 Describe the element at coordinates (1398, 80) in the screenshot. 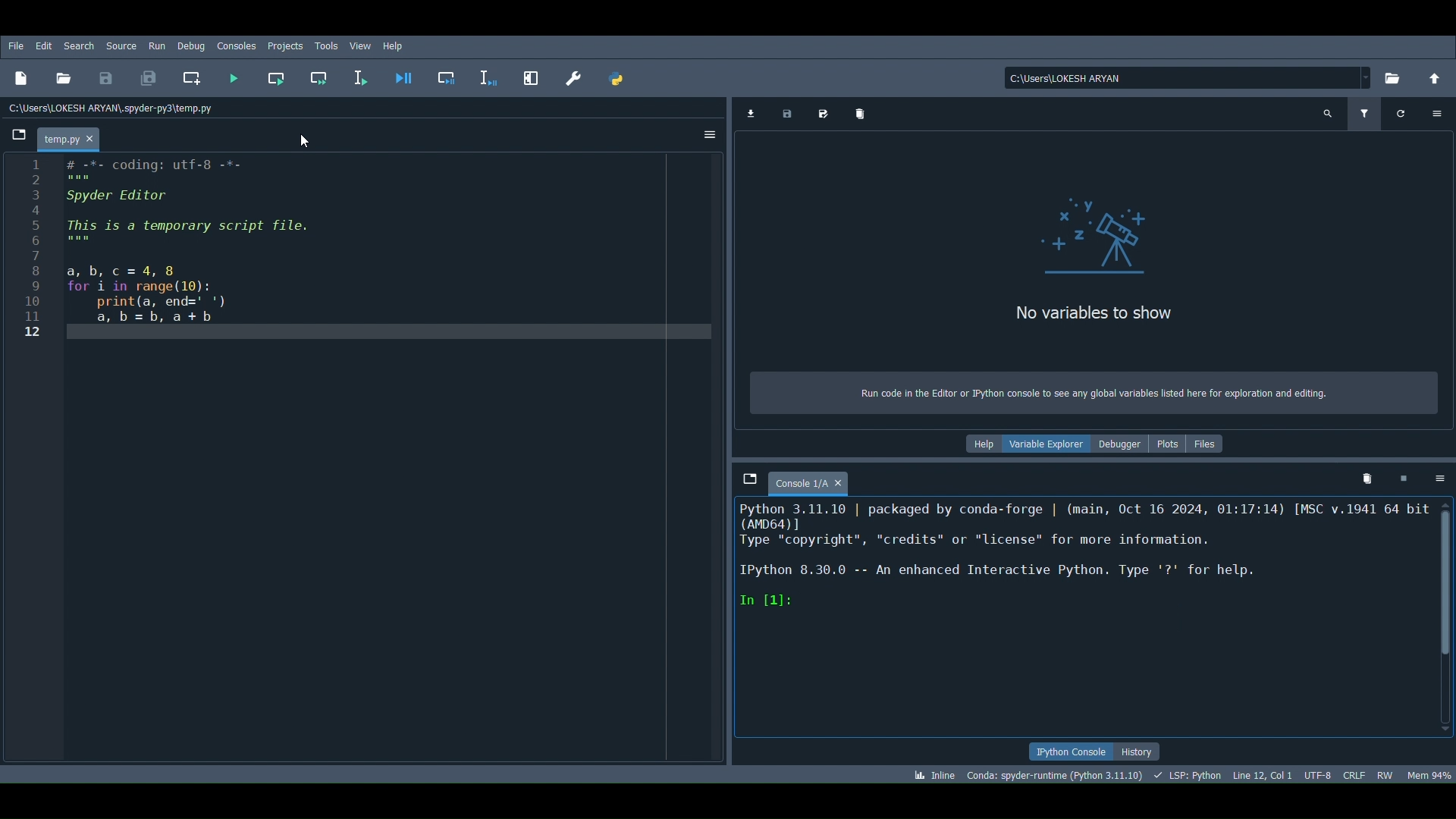

I see `Browse a working directory` at that location.